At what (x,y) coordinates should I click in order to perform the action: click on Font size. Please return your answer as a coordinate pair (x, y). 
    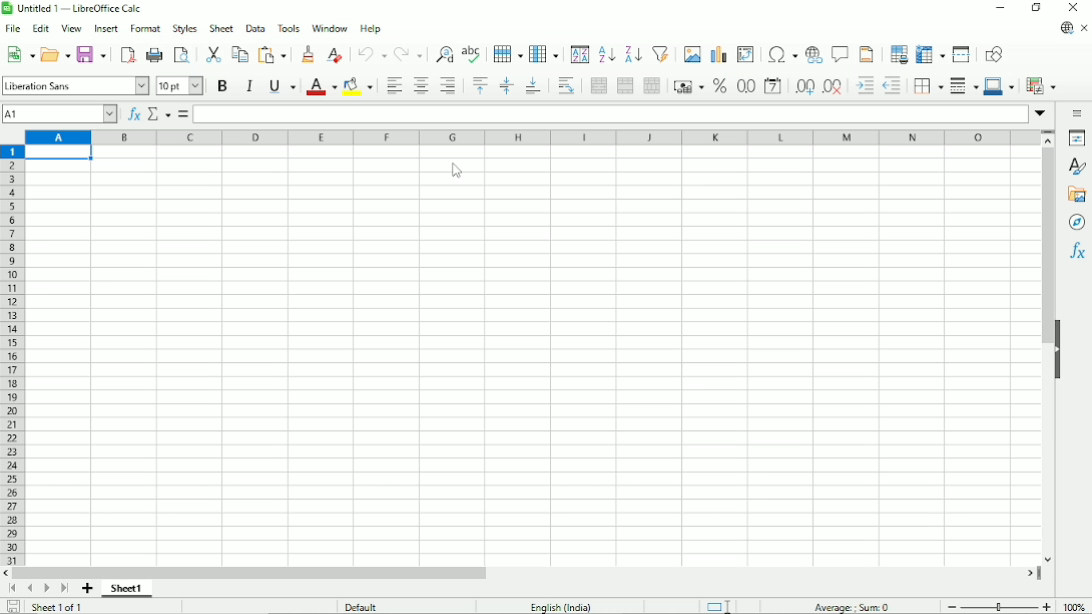
    Looking at the image, I should click on (179, 86).